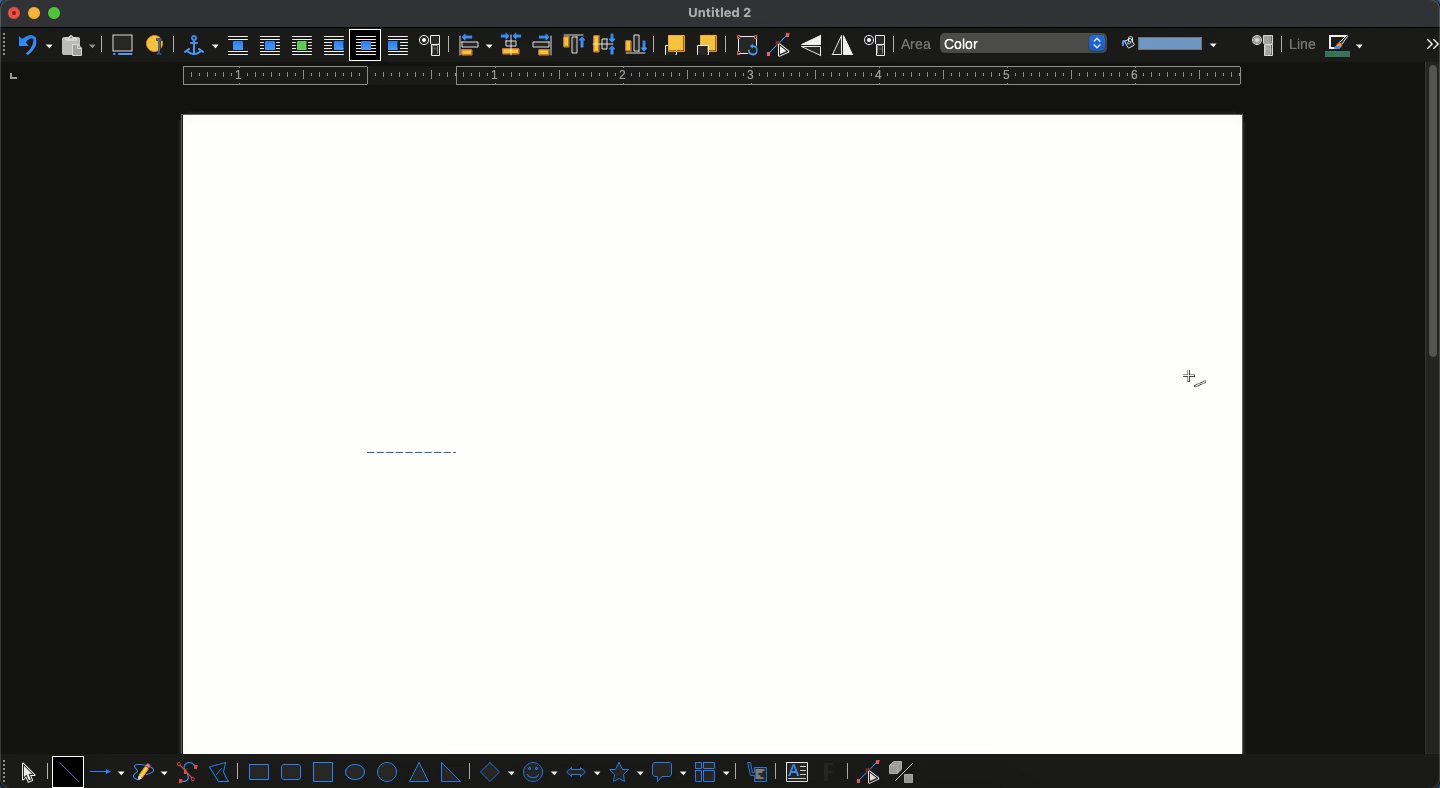 This screenshot has width=1440, height=788. Describe the element at coordinates (1194, 380) in the screenshot. I see `cursor` at that location.